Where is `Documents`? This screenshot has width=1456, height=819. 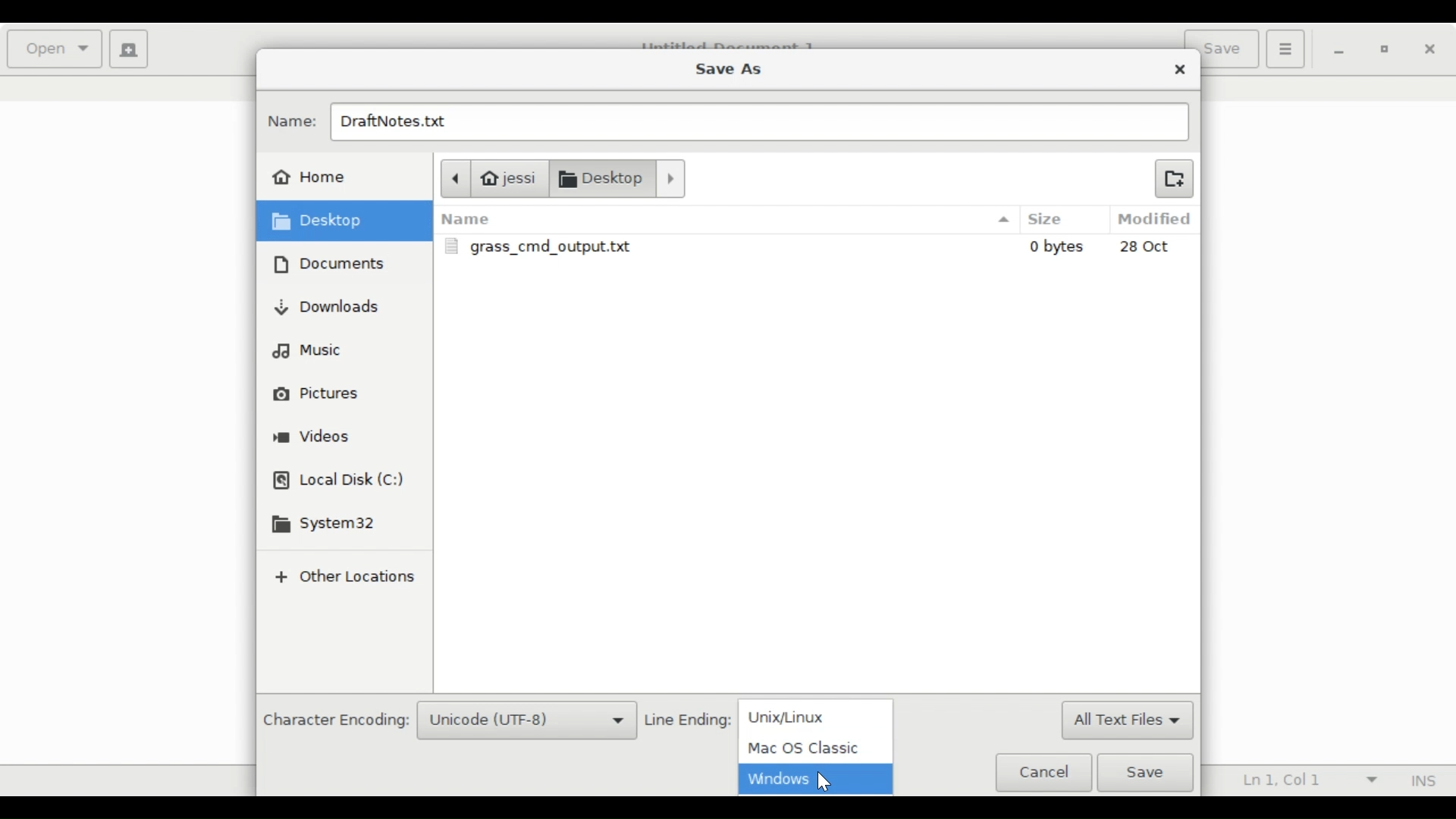
Documents is located at coordinates (334, 264).